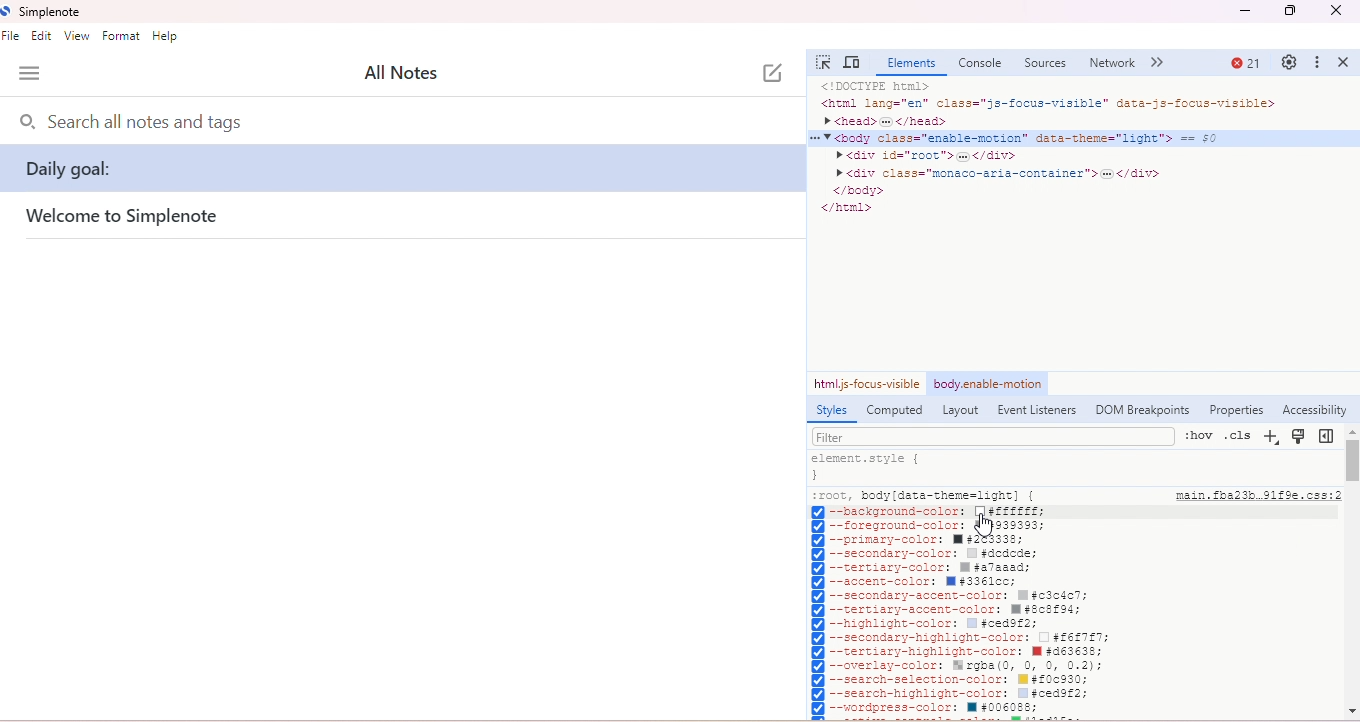  Describe the element at coordinates (1036, 411) in the screenshot. I see `event listeners` at that location.